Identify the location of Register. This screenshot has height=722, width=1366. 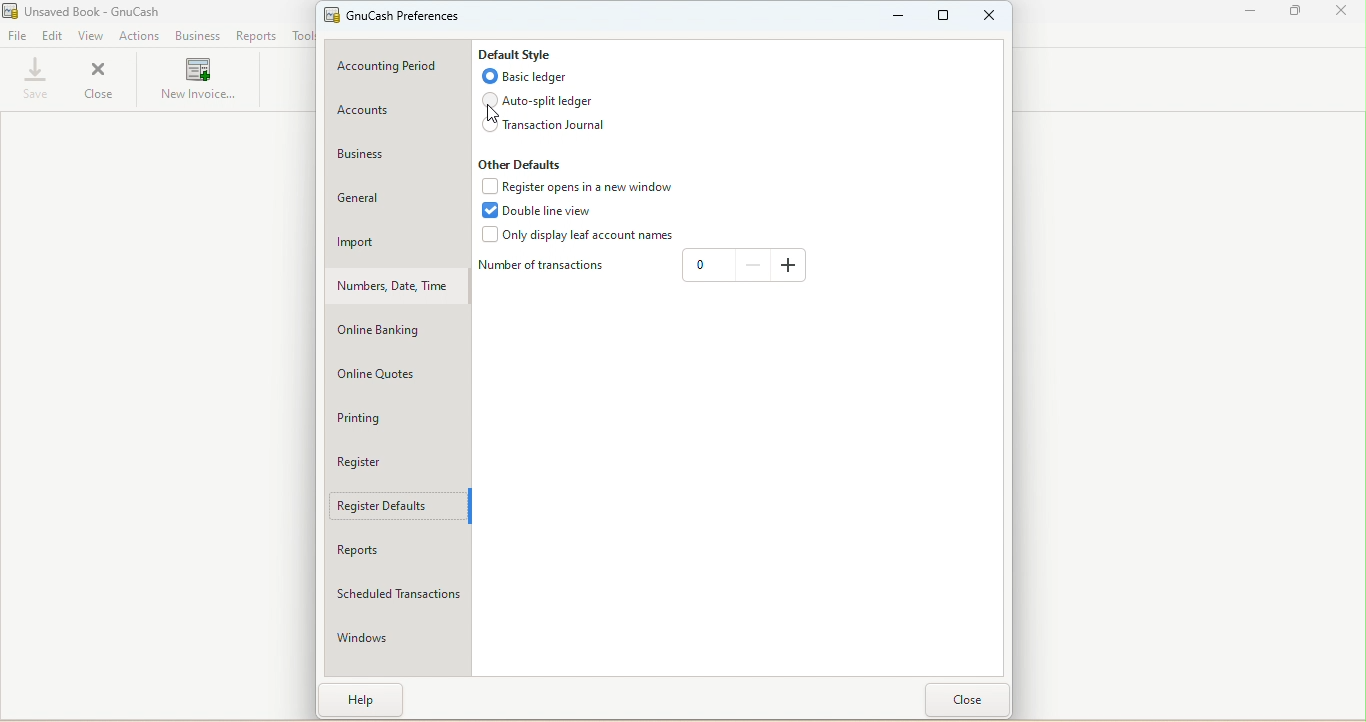
(394, 460).